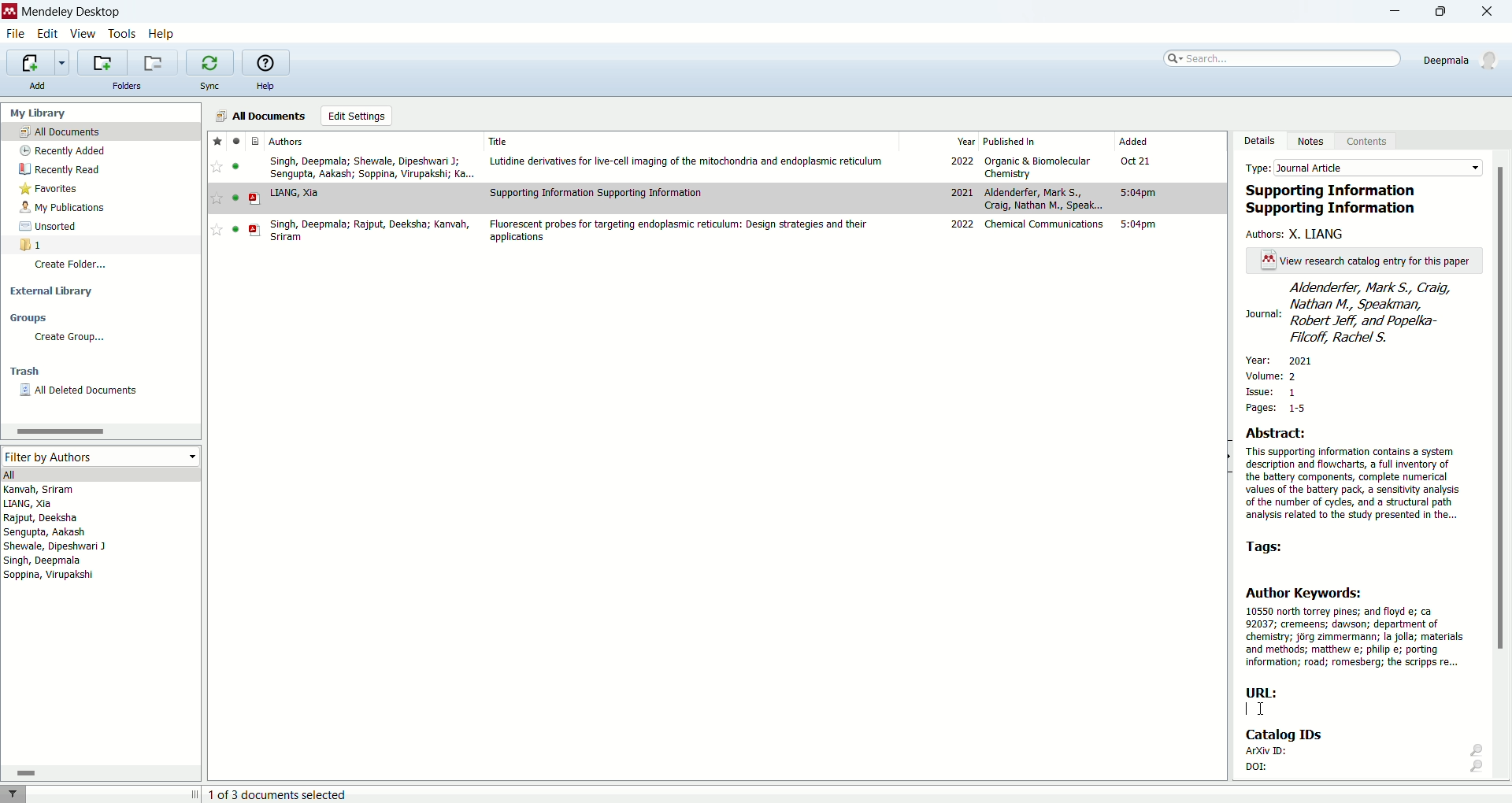 Image resolution: width=1512 pixels, height=803 pixels. Describe the element at coordinates (1038, 168) in the screenshot. I see `Organic & Biomolecular Chemistry` at that location.